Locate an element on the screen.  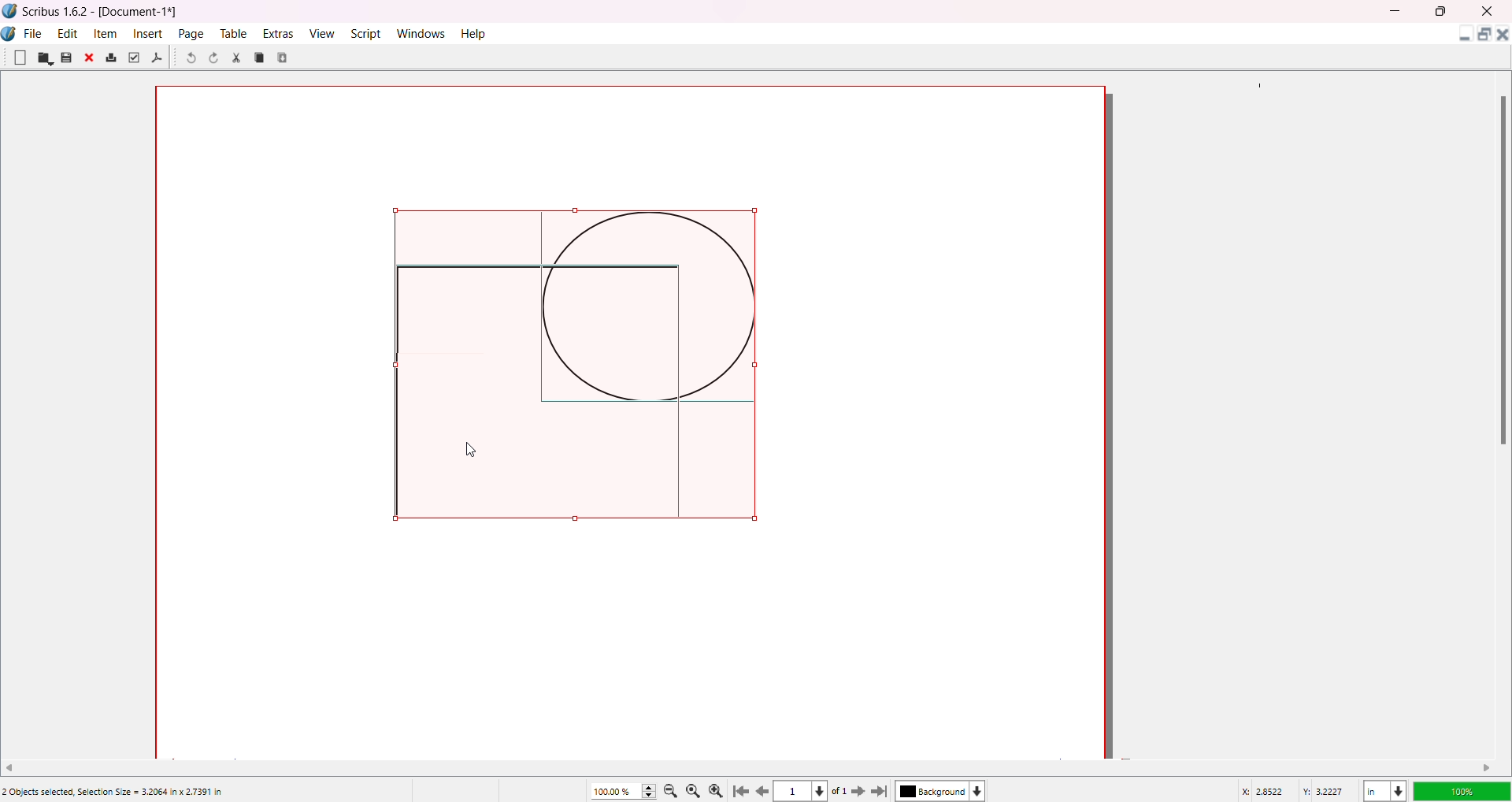
MInimize is located at coordinates (1398, 11).